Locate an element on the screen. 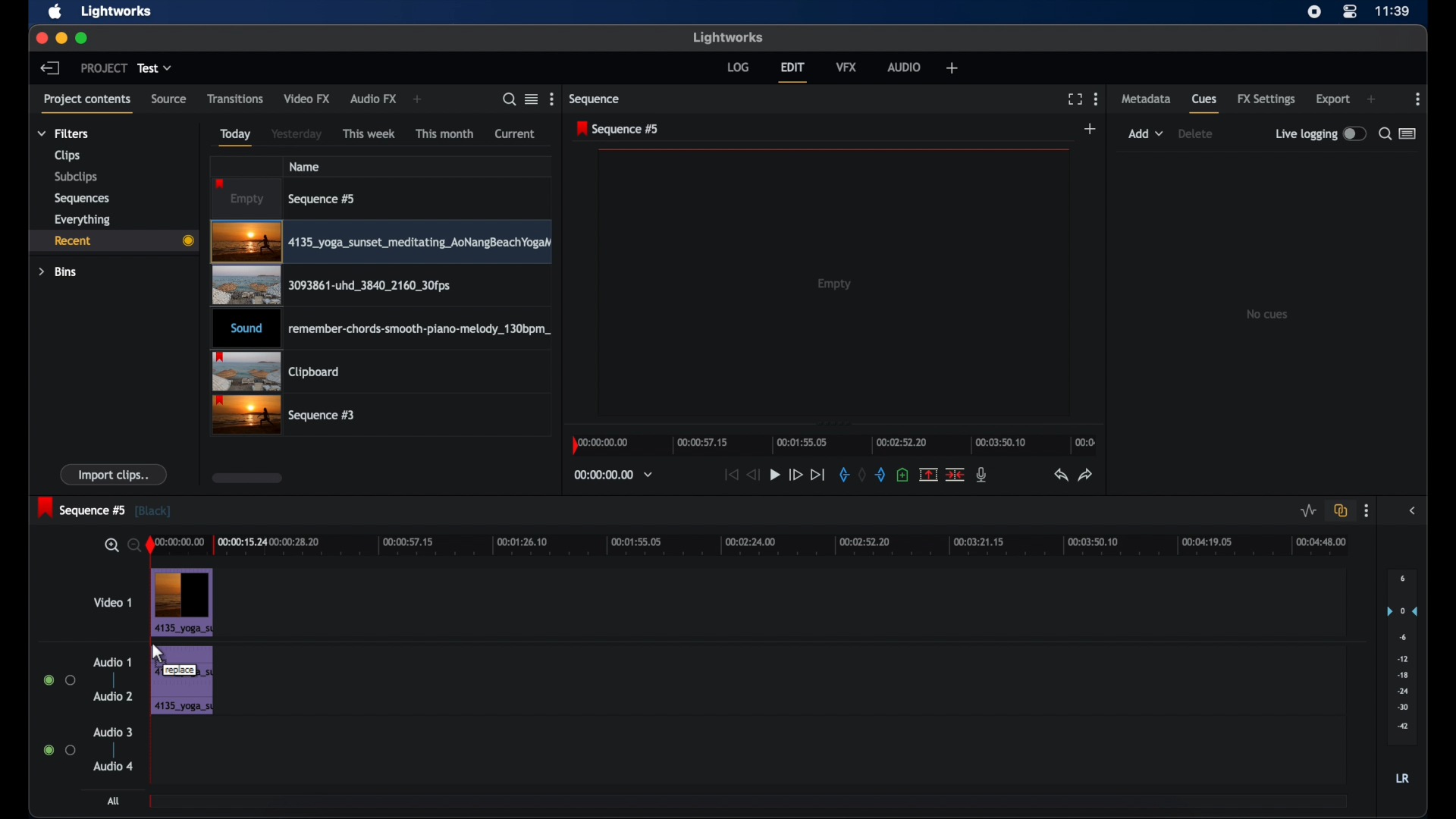 Image resolution: width=1456 pixels, height=819 pixels. add is located at coordinates (1146, 133).